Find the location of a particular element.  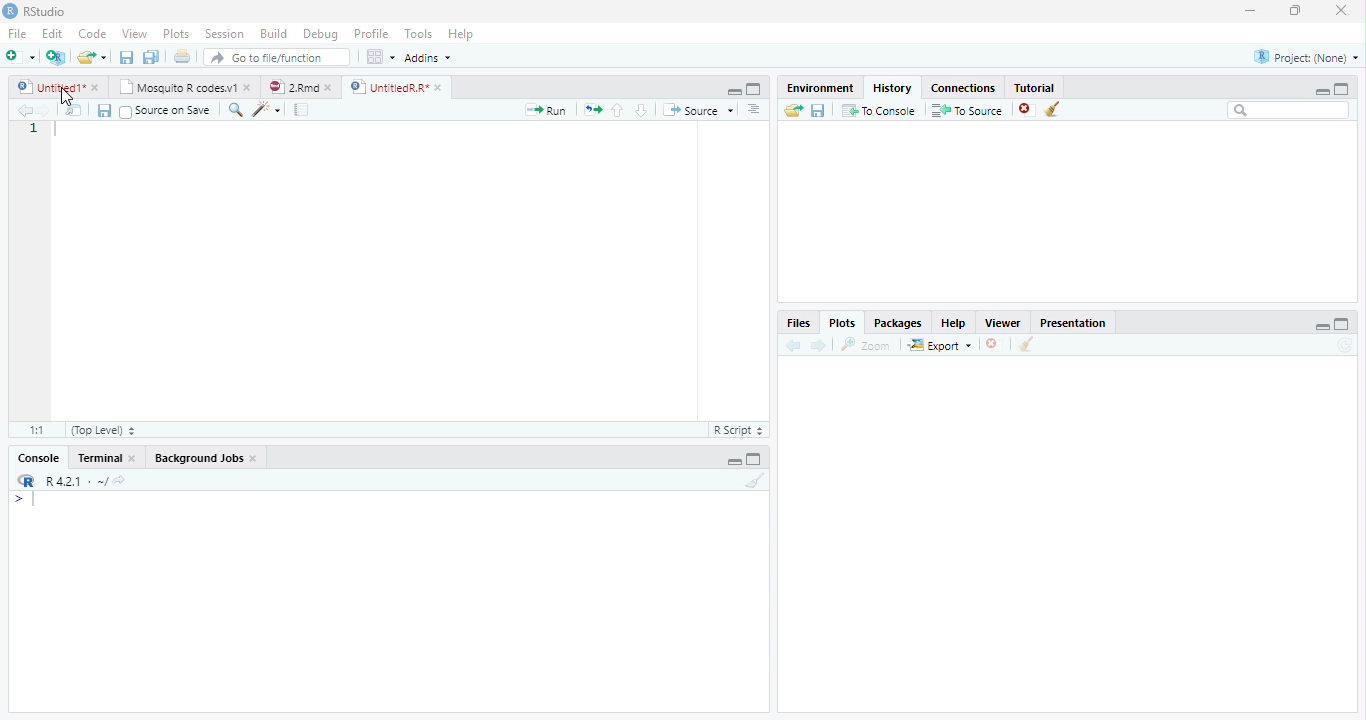

UntitiledR.R is located at coordinates (400, 86).